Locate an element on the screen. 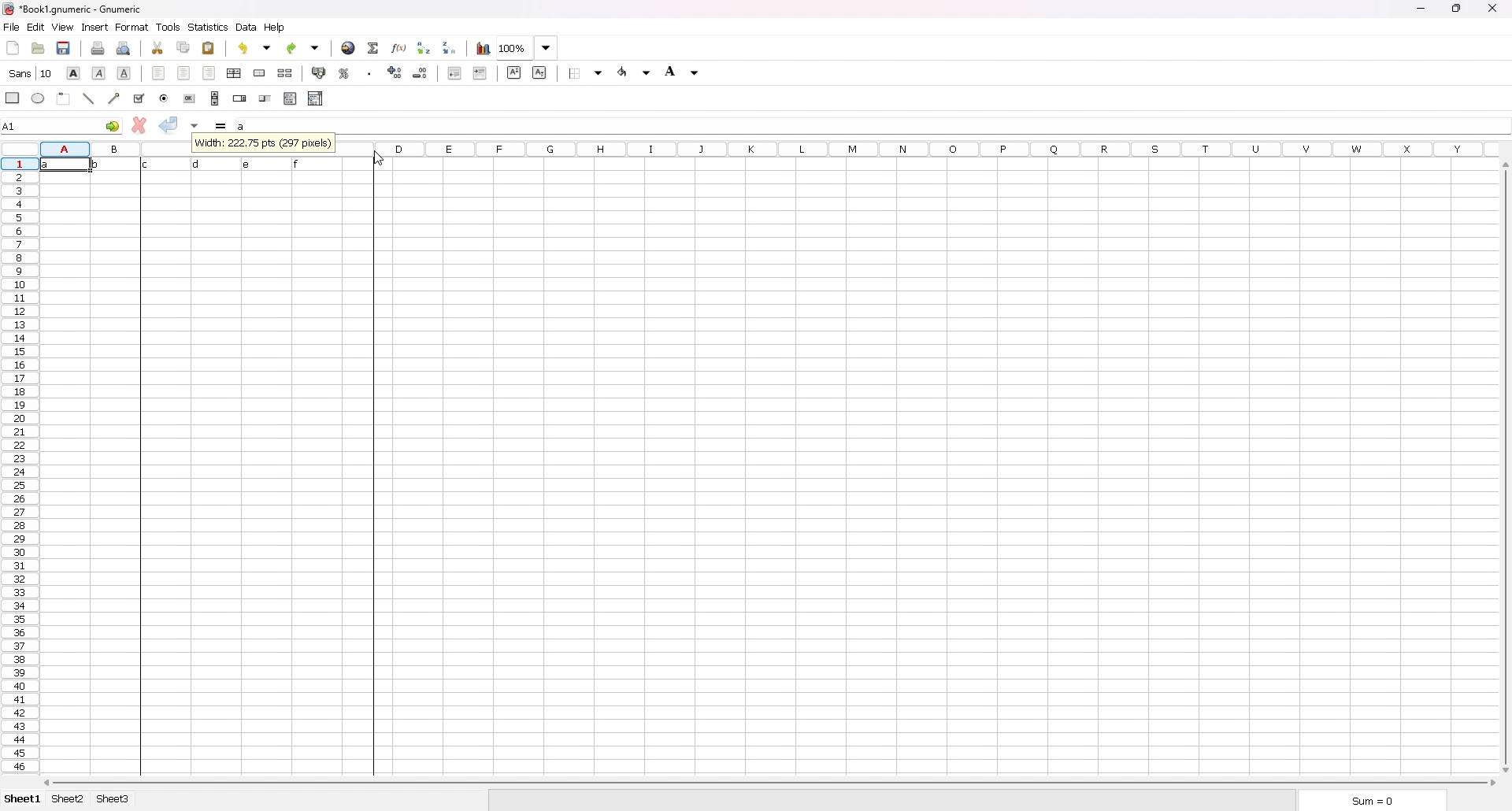  arrowed line is located at coordinates (116, 97).